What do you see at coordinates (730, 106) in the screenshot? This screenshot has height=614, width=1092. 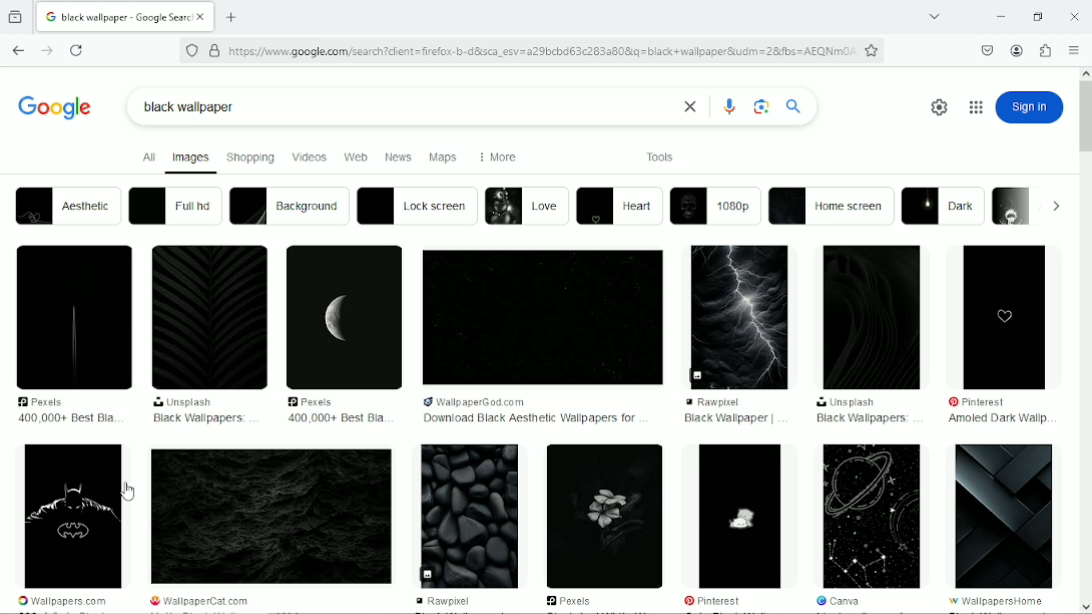 I see `search by voice` at bounding box center [730, 106].